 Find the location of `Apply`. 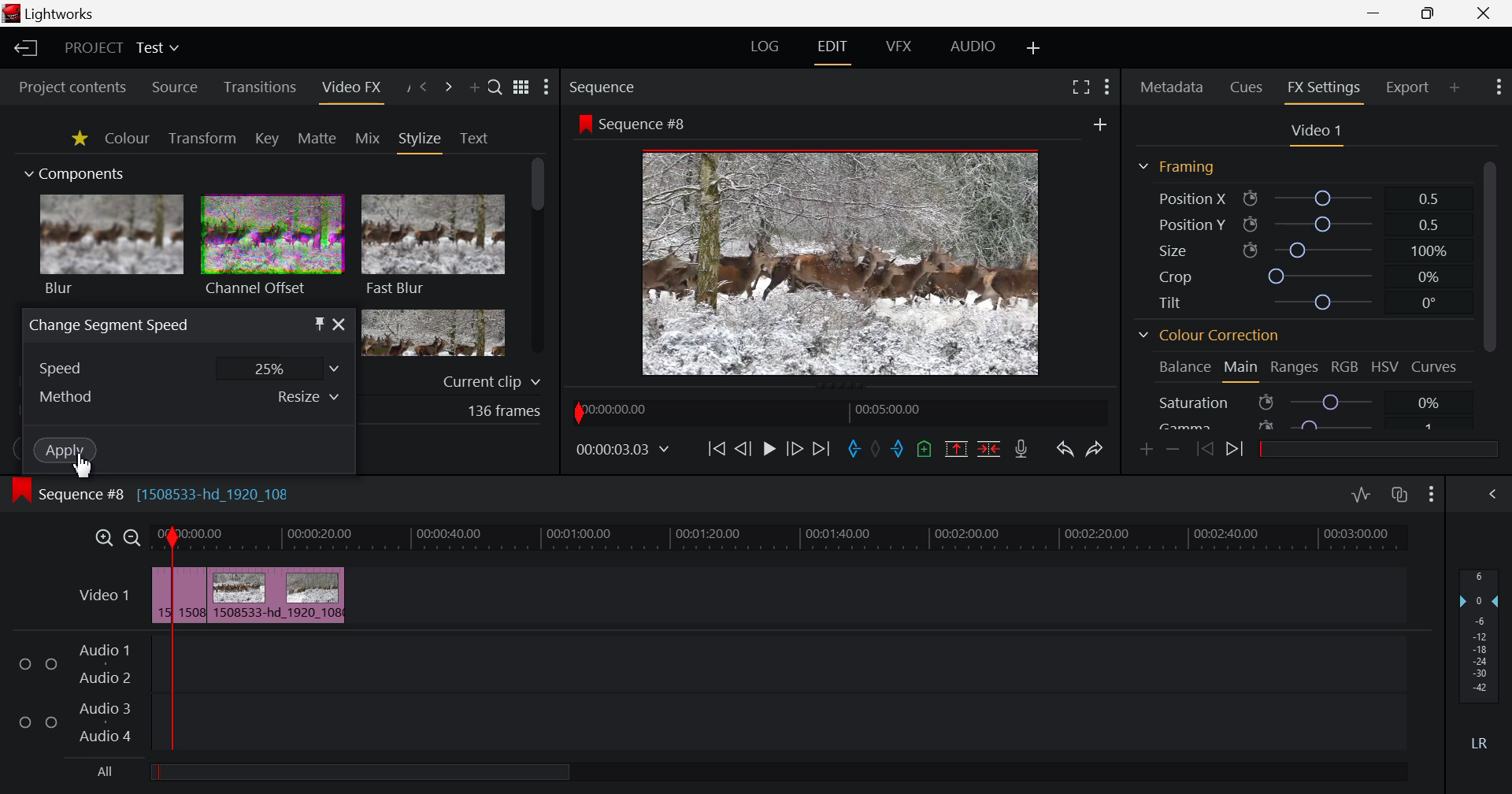

Apply is located at coordinates (63, 452).